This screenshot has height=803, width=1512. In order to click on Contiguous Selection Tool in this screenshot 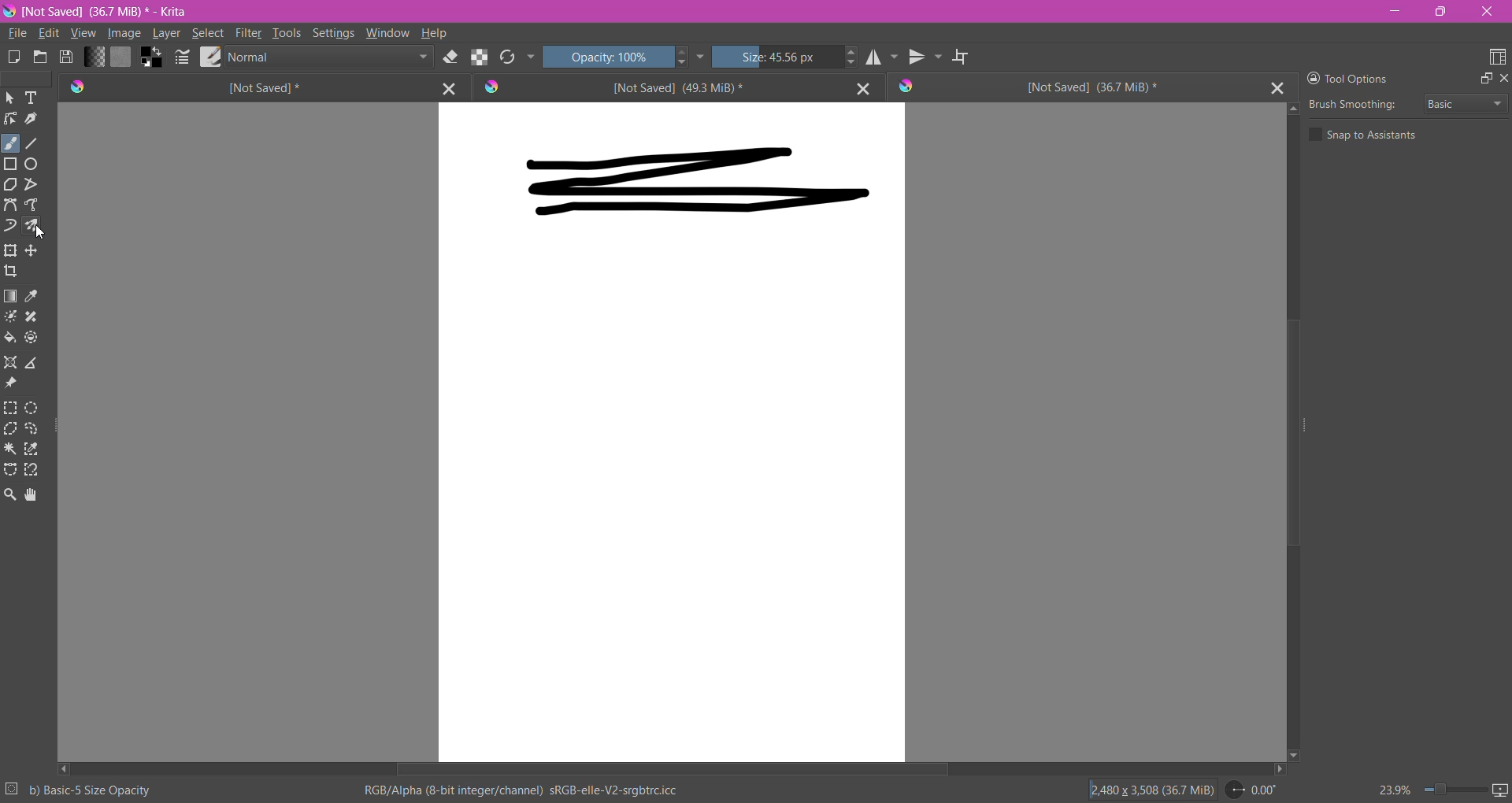, I will do `click(12, 450)`.